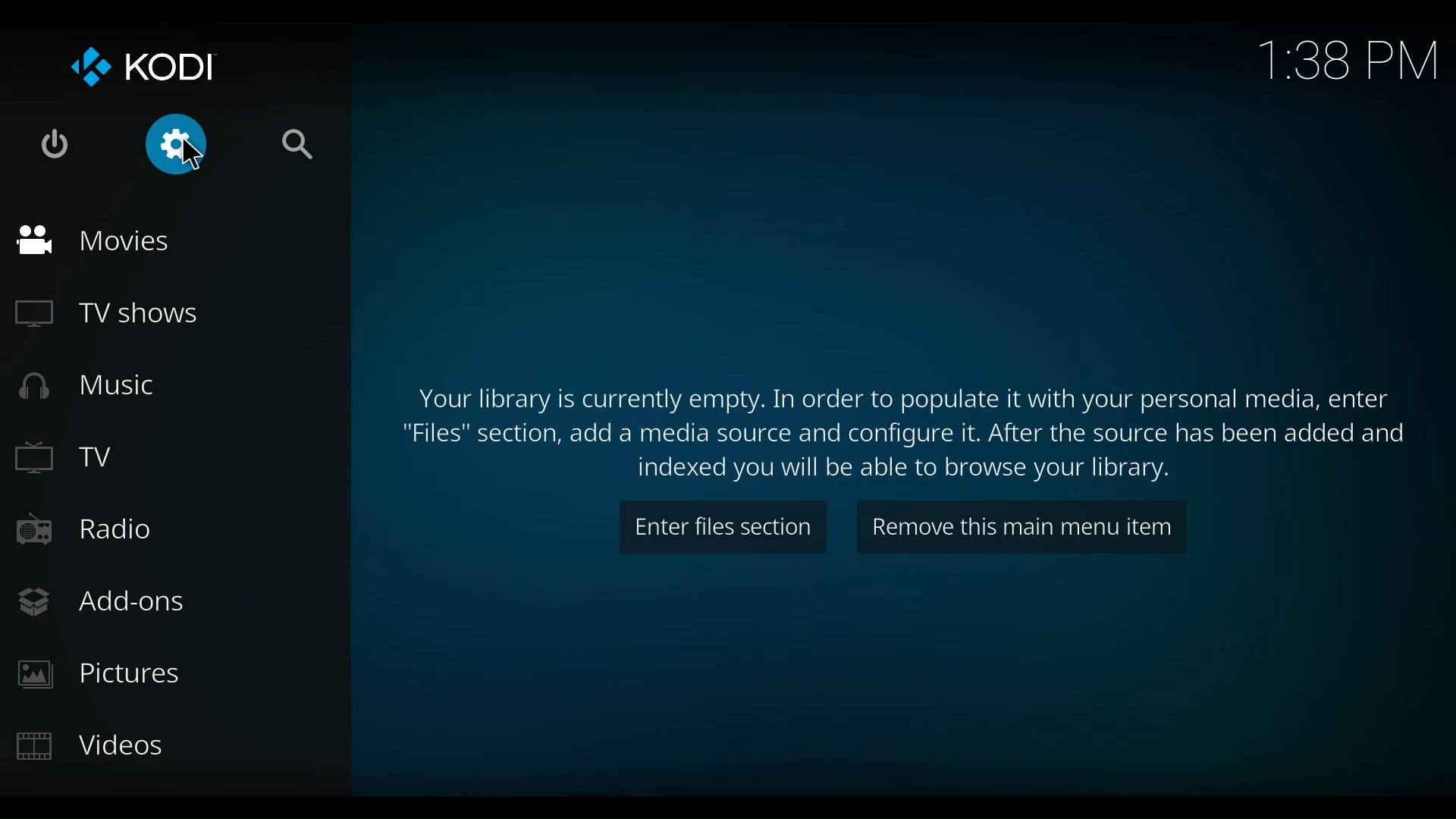 Image resolution: width=1456 pixels, height=819 pixels. What do you see at coordinates (96, 386) in the screenshot?
I see `Music` at bounding box center [96, 386].